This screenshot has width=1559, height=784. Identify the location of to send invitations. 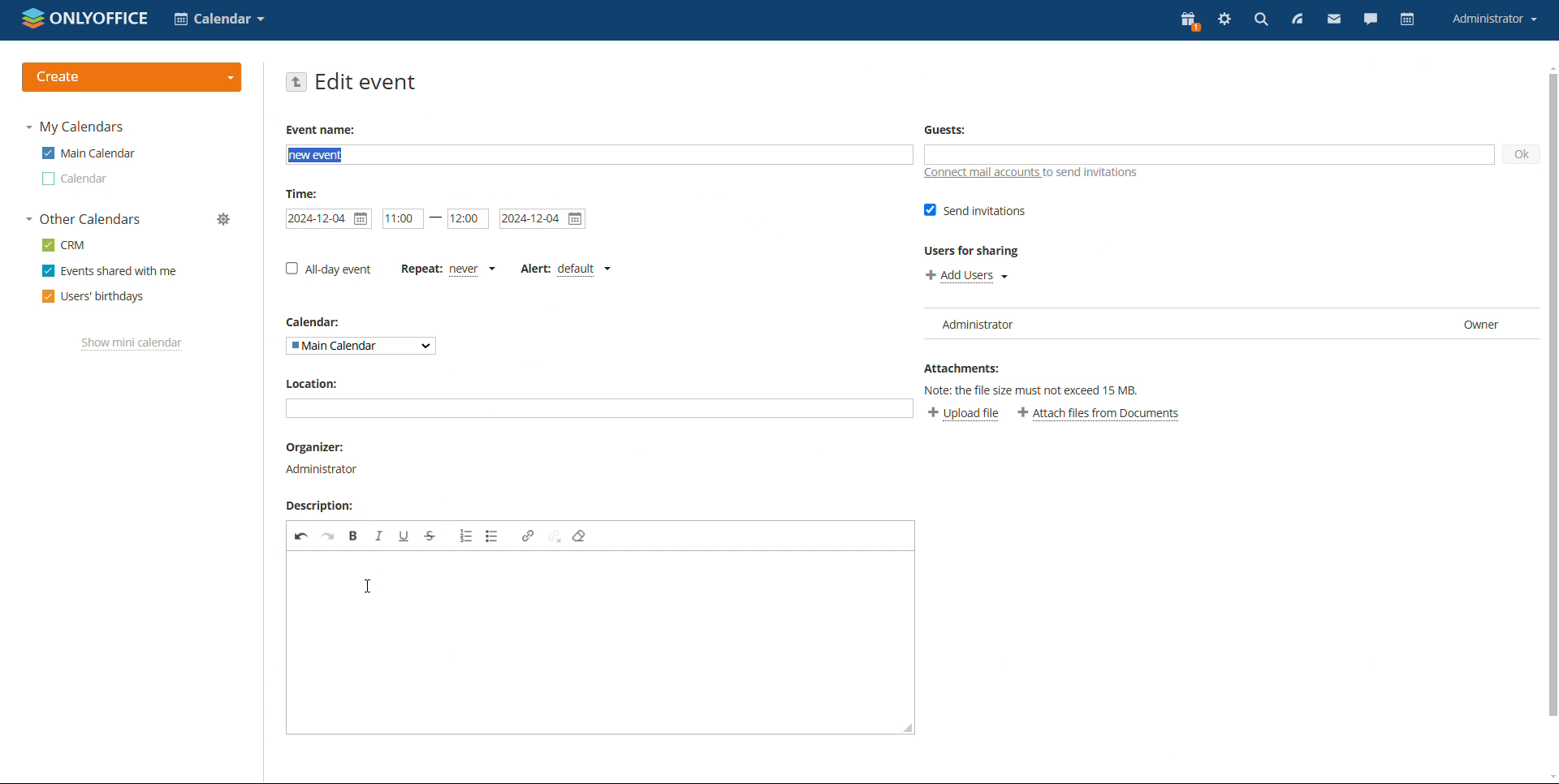
(1097, 174).